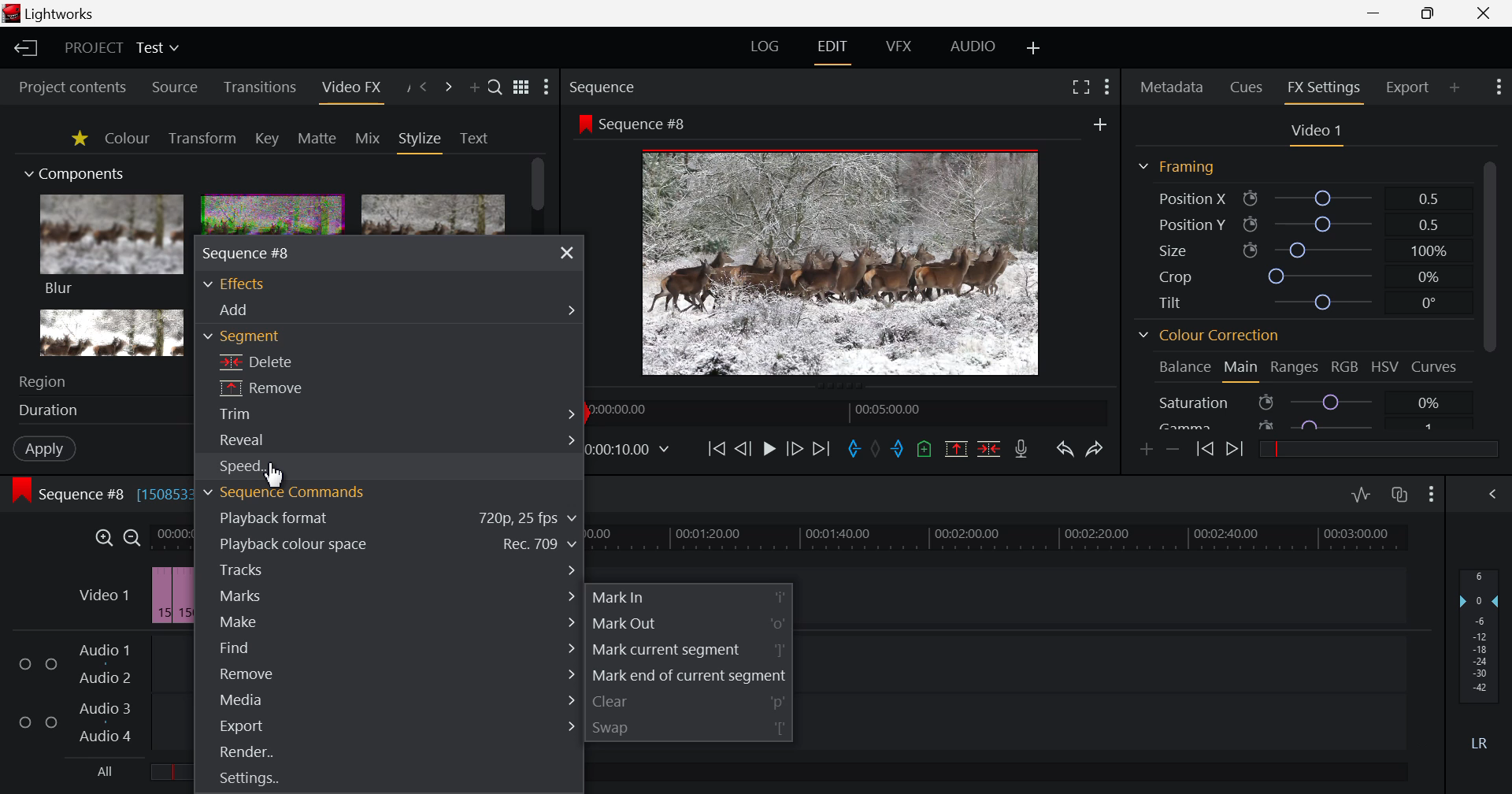  I want to click on Text, so click(474, 139).